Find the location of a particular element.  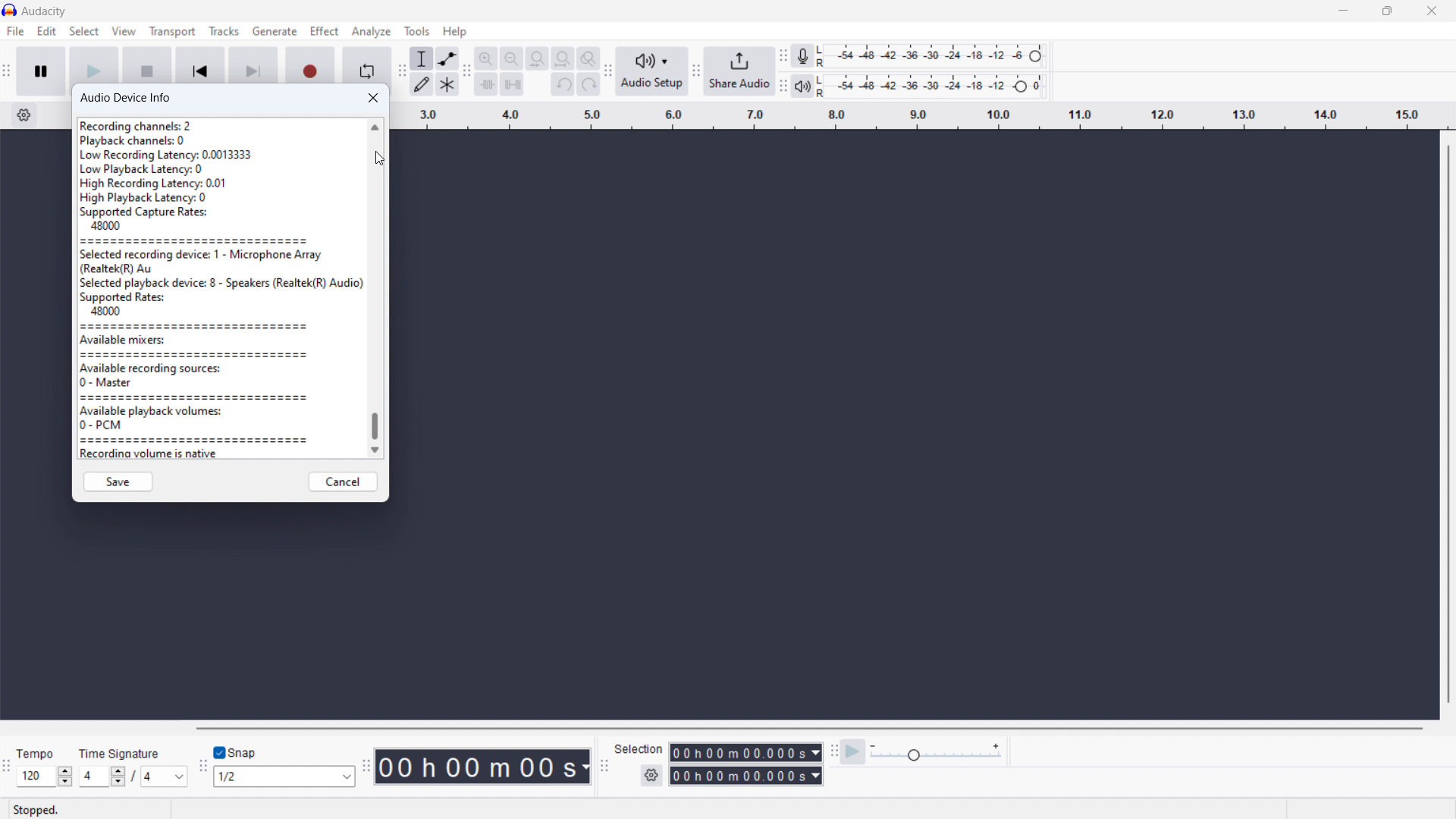

end time is located at coordinates (745, 775).